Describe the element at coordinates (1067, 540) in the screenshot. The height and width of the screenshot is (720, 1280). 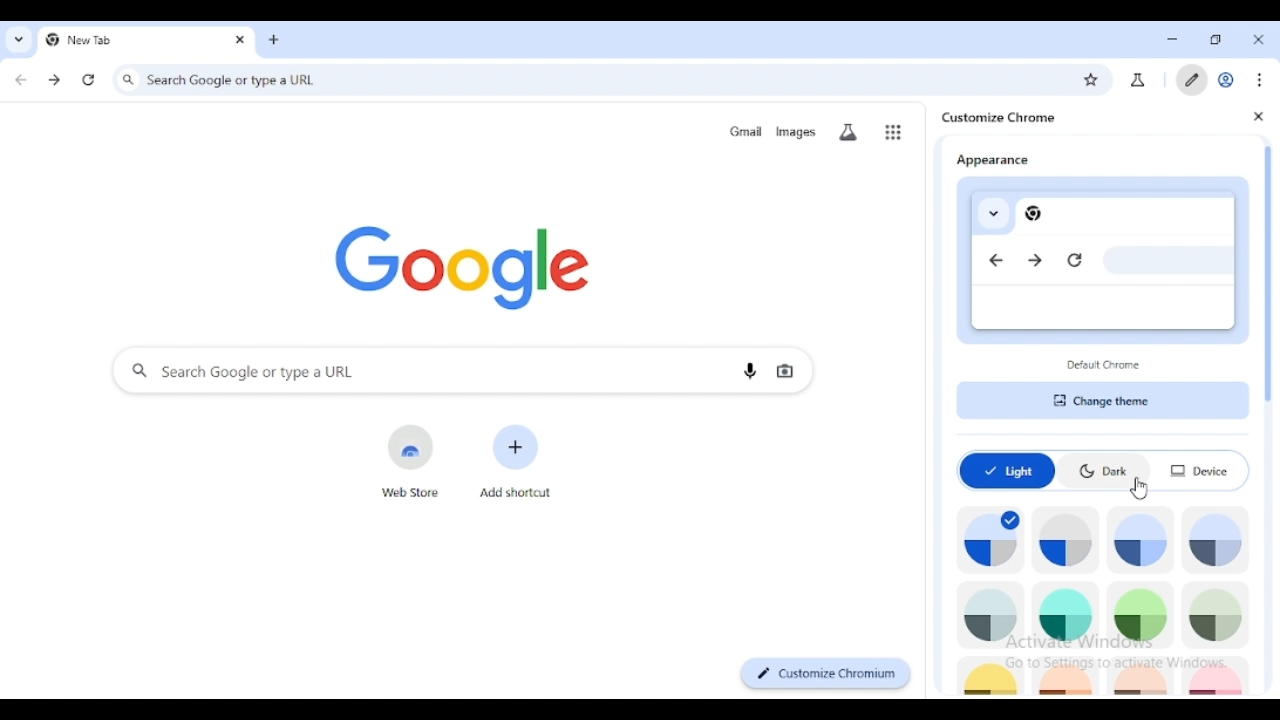
I see `grey default color` at that location.